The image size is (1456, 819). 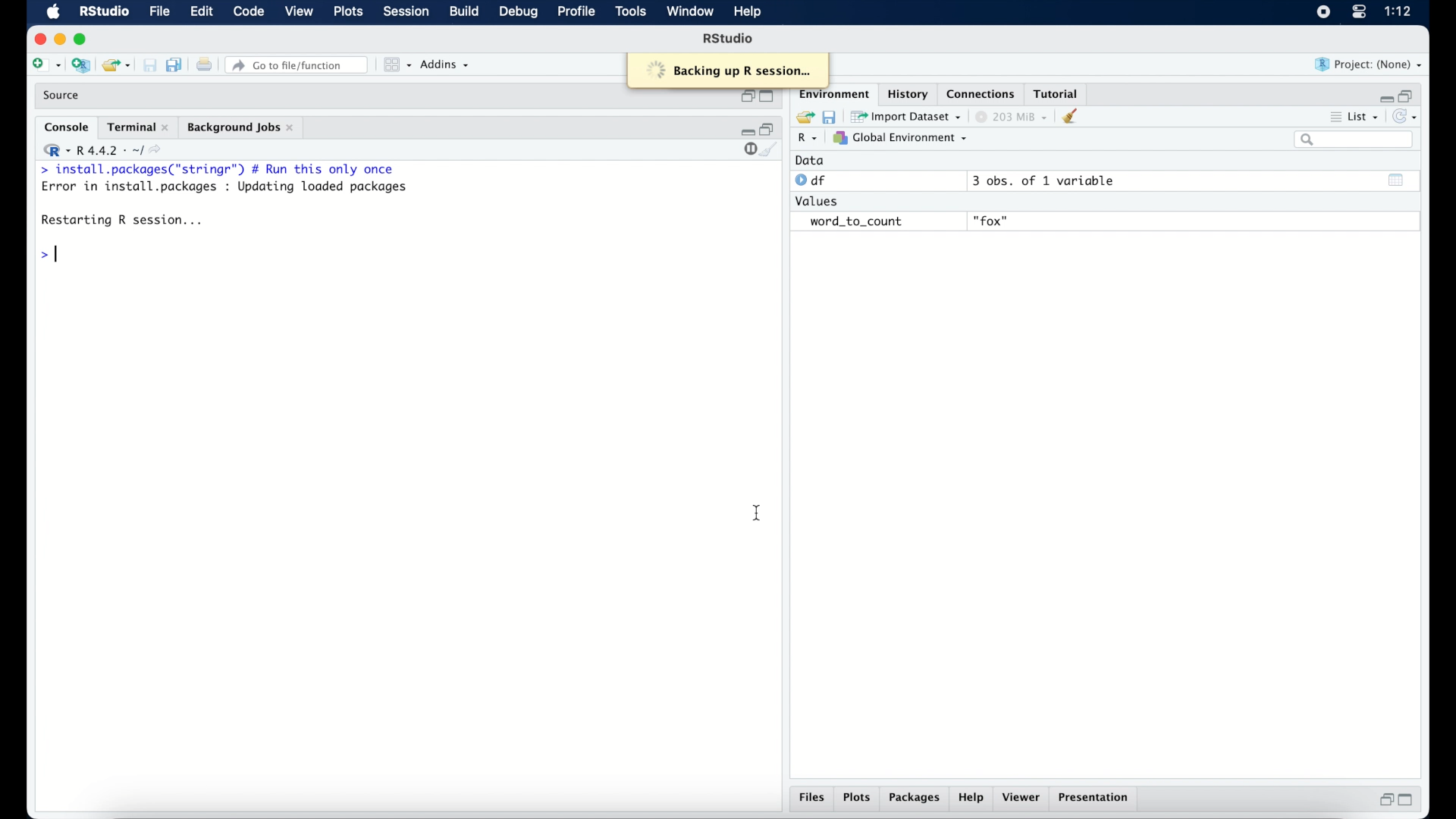 What do you see at coordinates (745, 130) in the screenshot?
I see `minimize` at bounding box center [745, 130].